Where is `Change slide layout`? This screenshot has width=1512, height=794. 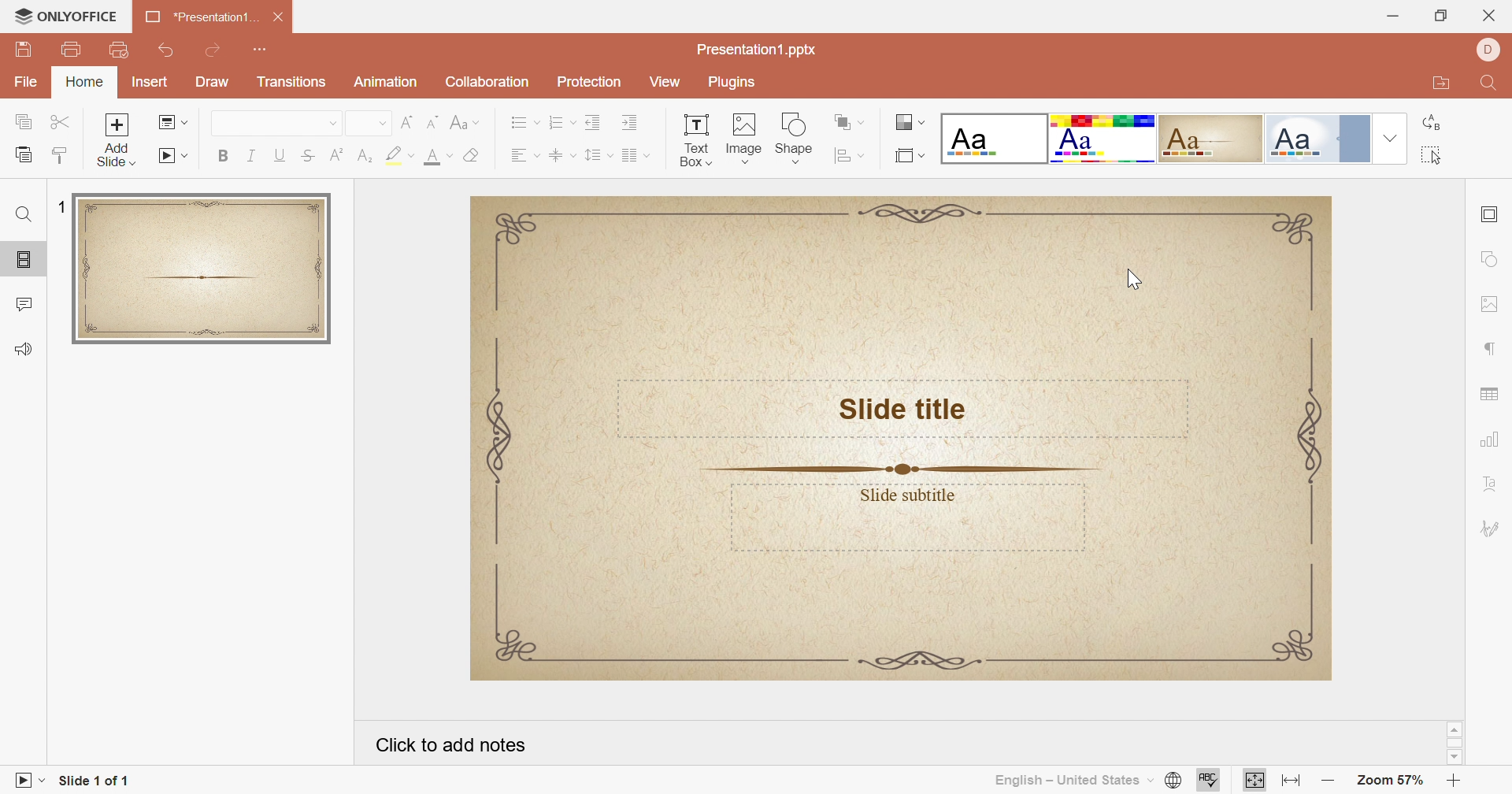 Change slide layout is located at coordinates (166, 121).